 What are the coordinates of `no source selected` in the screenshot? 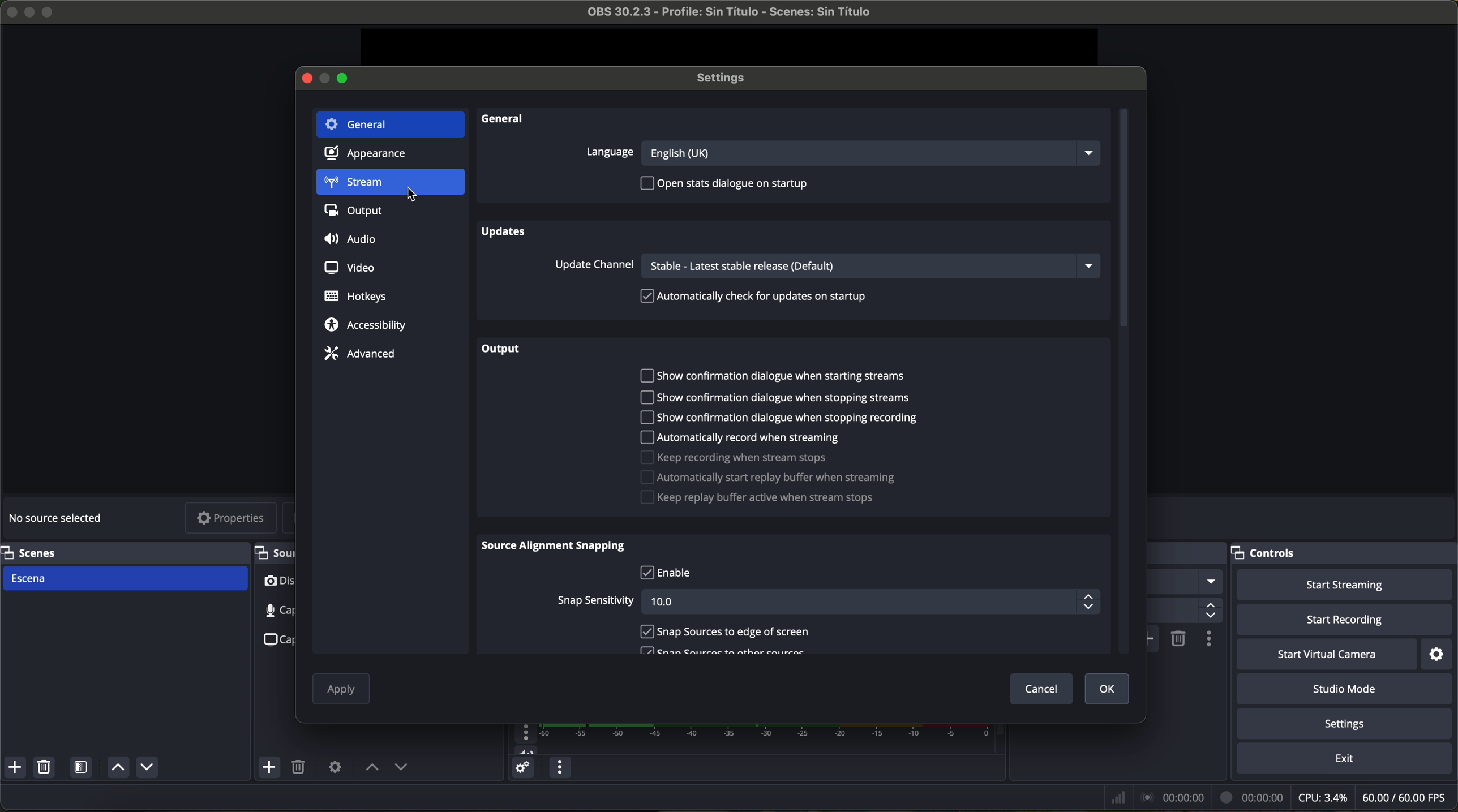 It's located at (59, 516).